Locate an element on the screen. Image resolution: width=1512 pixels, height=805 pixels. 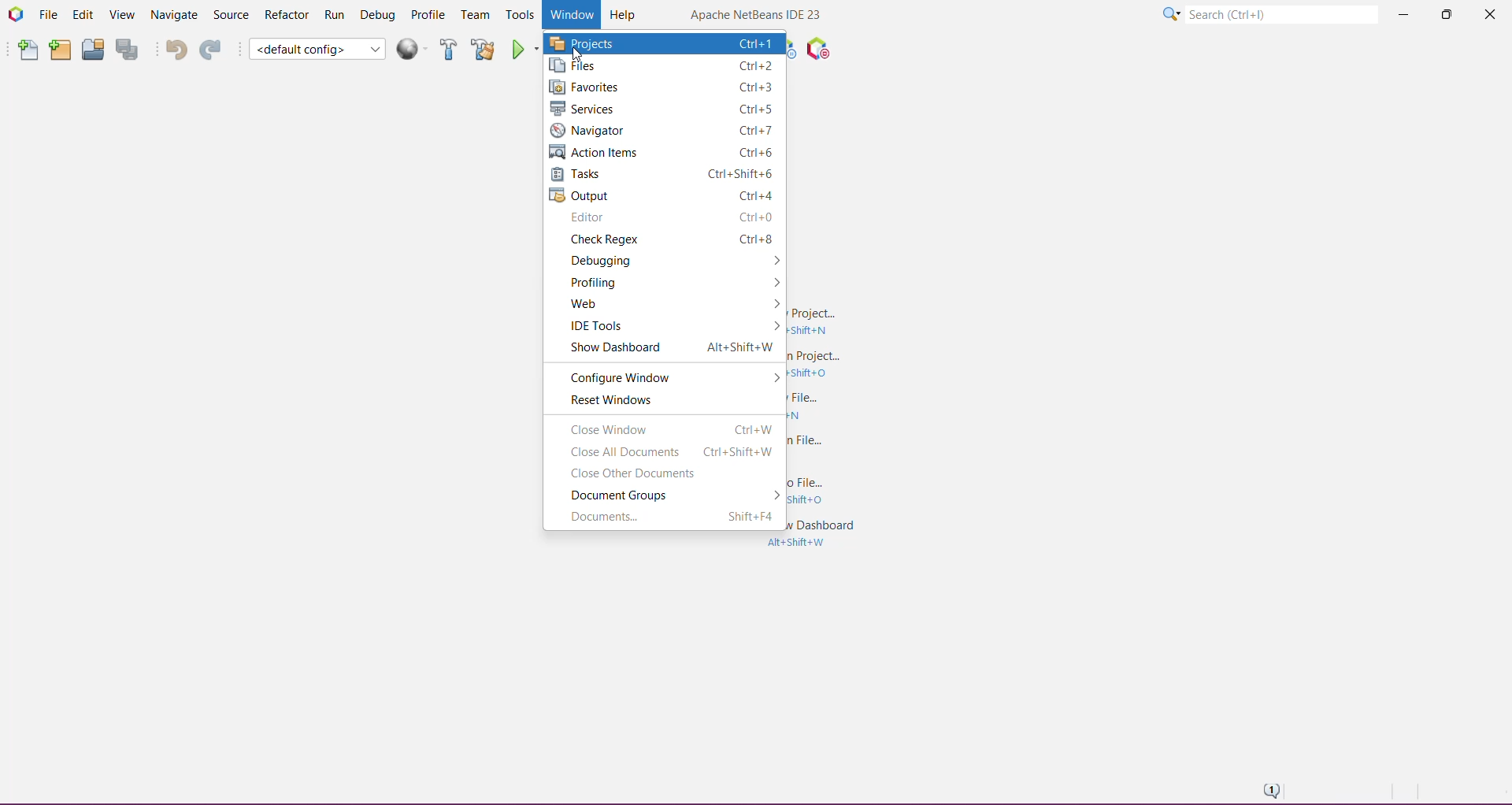
Web is located at coordinates (595, 305).